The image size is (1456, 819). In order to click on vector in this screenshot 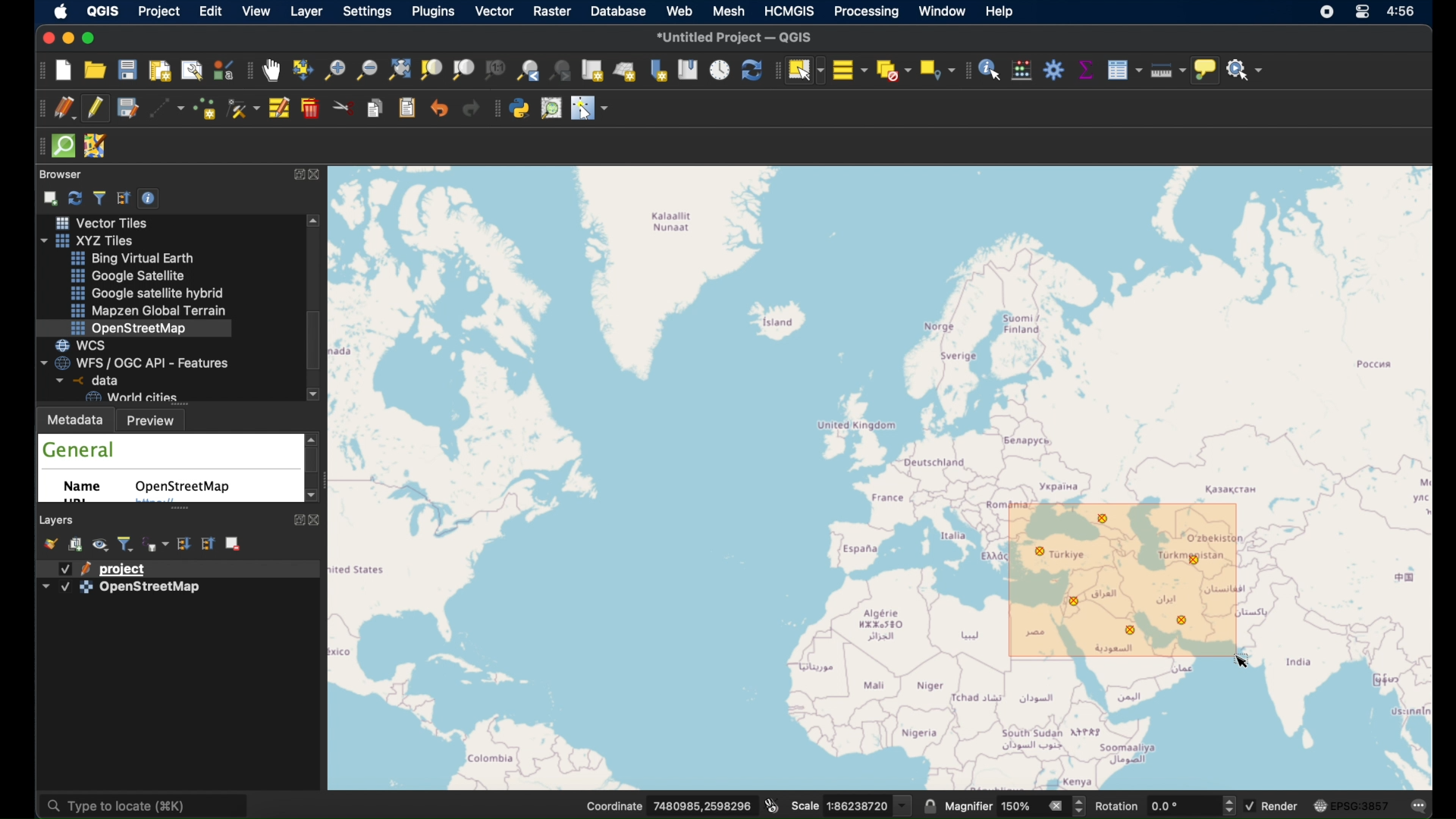, I will do `click(494, 12)`.